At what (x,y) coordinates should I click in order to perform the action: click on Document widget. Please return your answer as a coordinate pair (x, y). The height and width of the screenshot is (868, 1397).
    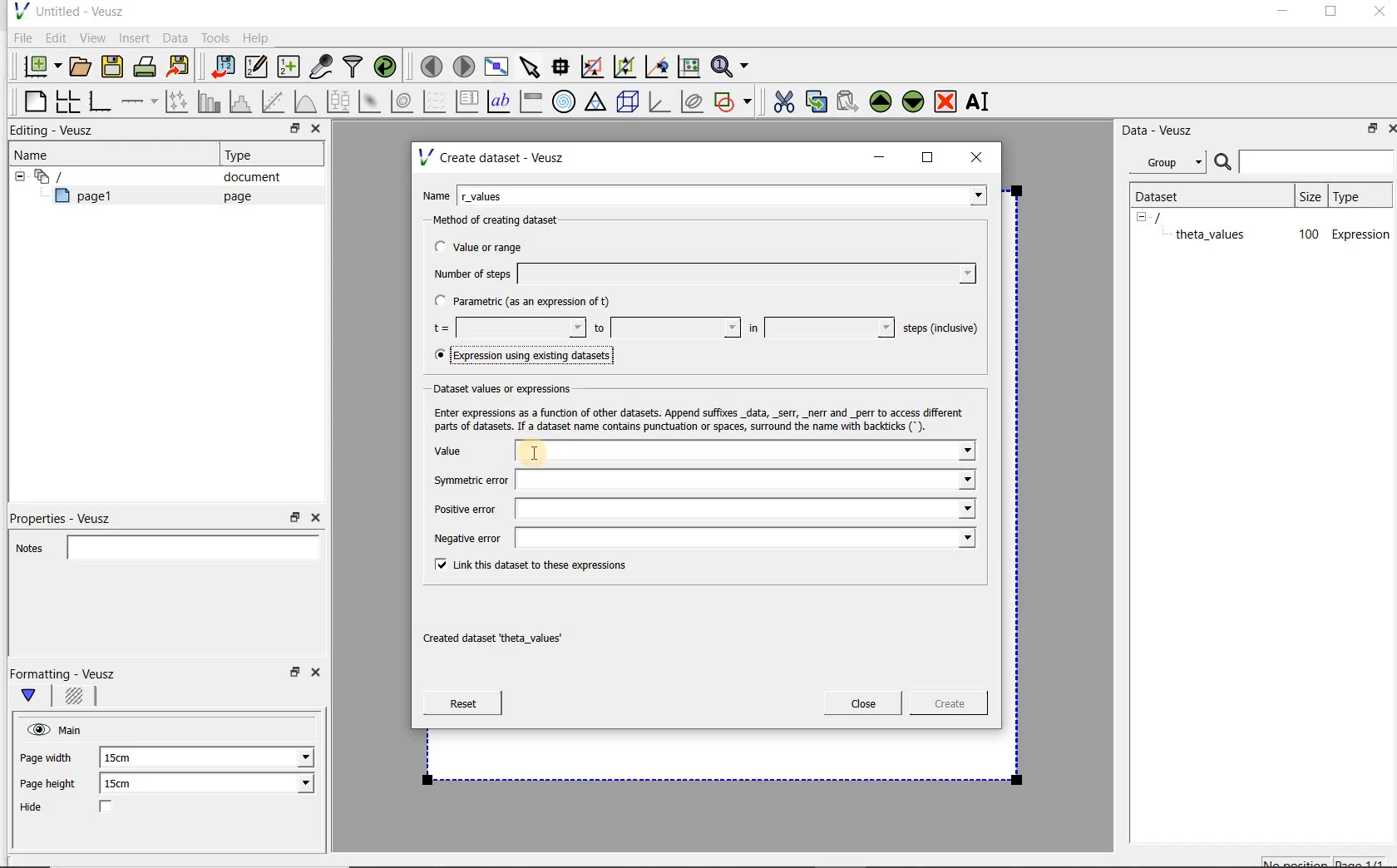
    Looking at the image, I should click on (78, 176).